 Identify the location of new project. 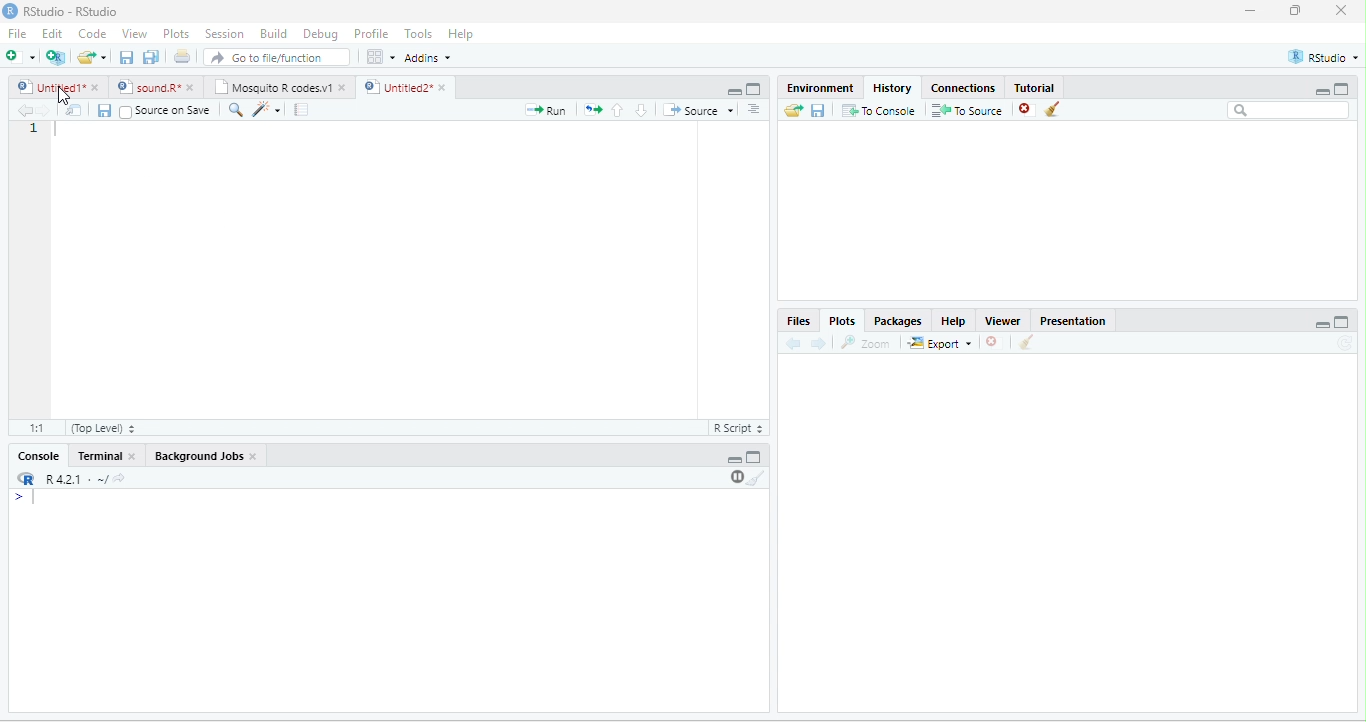
(56, 58).